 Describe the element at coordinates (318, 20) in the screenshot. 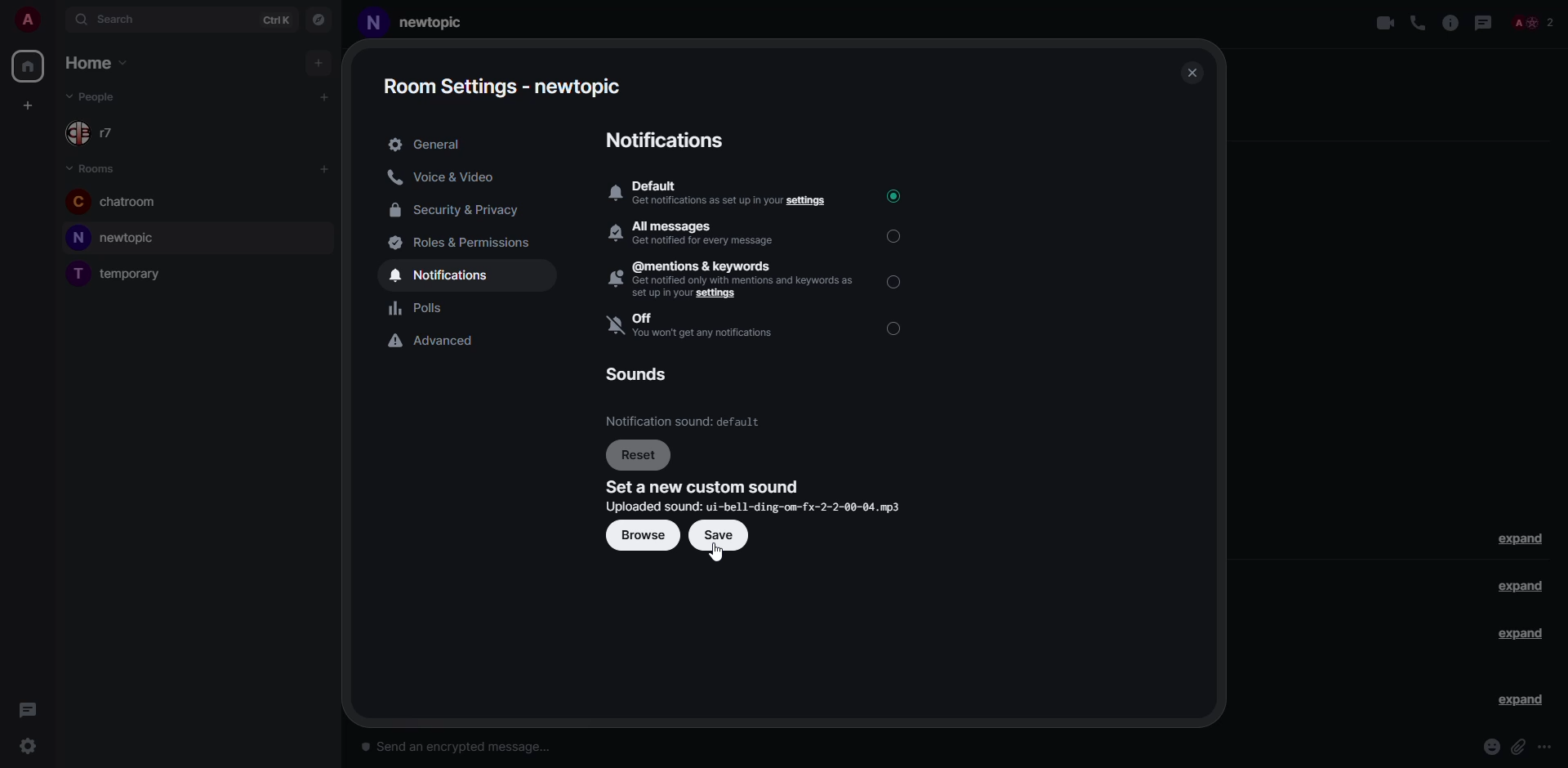

I see `navigator` at that location.